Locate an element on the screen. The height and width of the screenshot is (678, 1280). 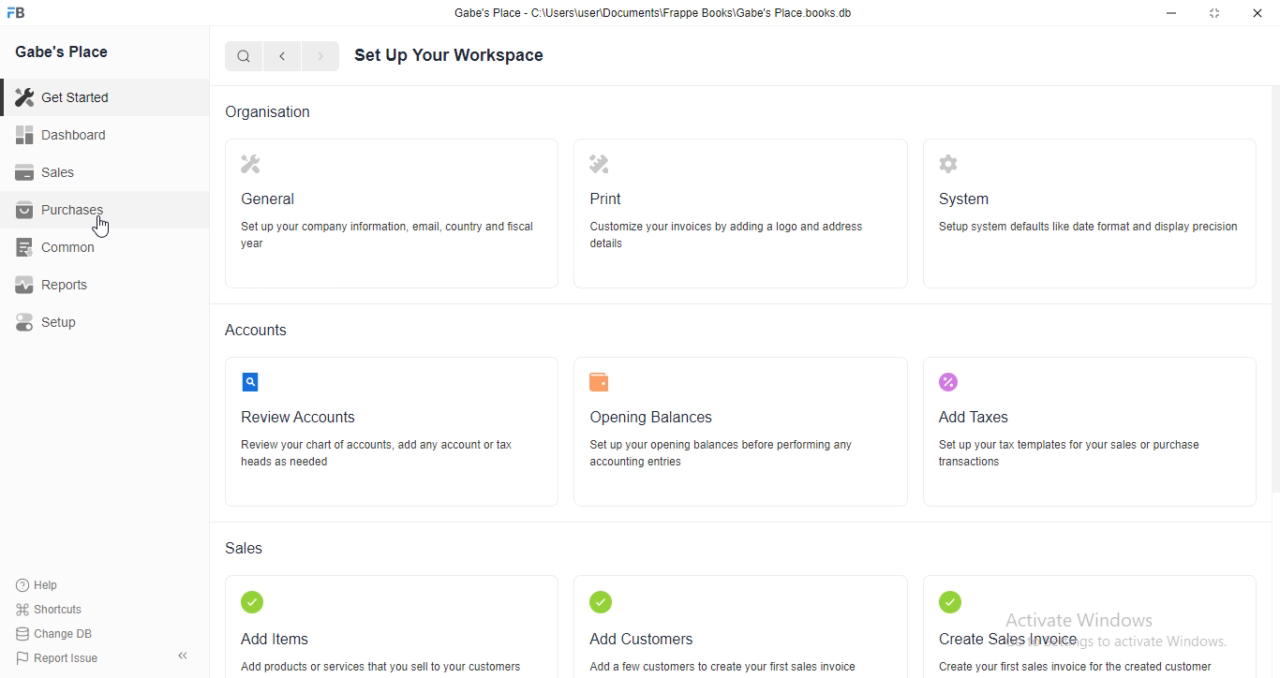
icon is located at coordinates (256, 604).